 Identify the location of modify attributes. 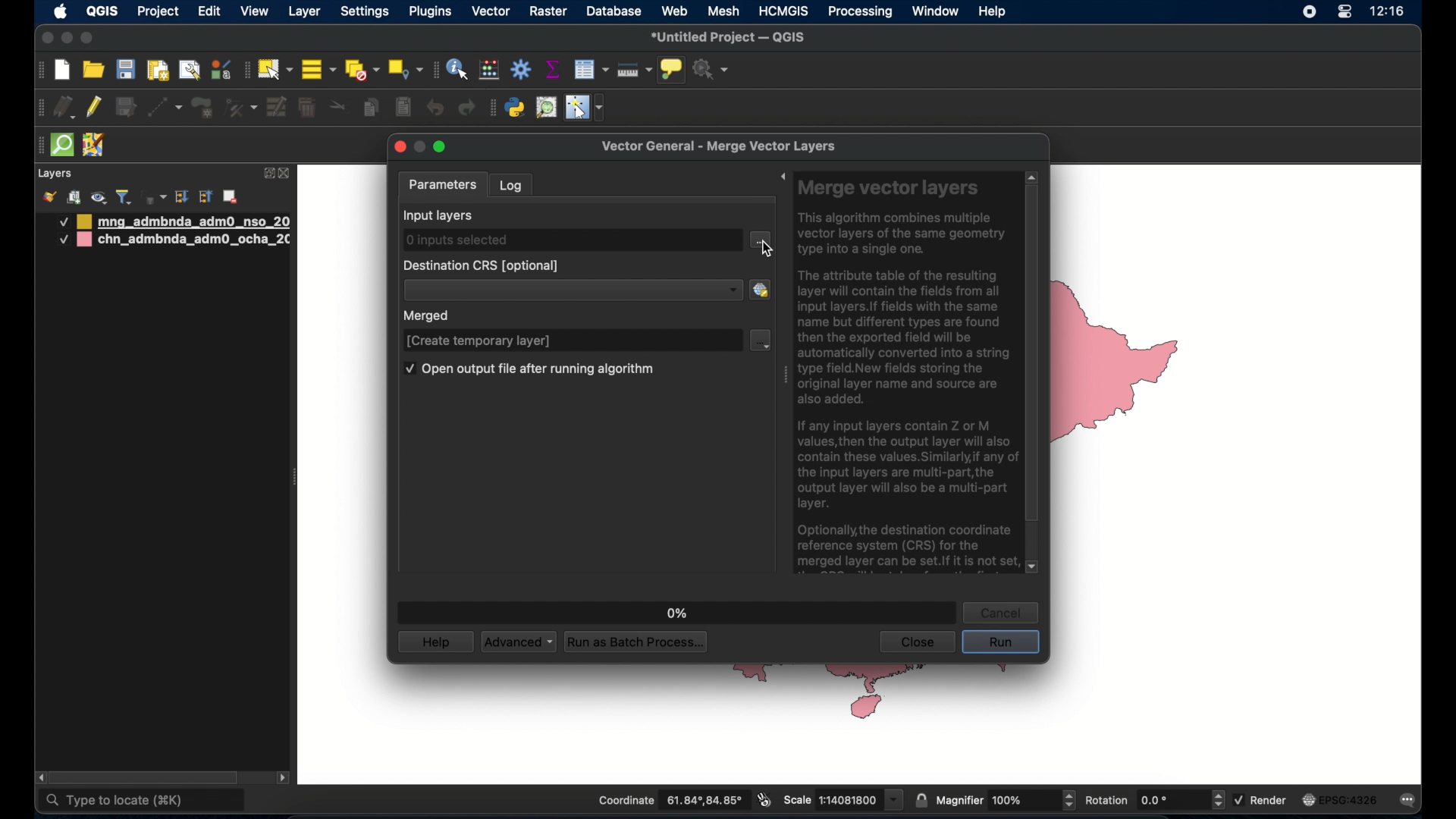
(278, 108).